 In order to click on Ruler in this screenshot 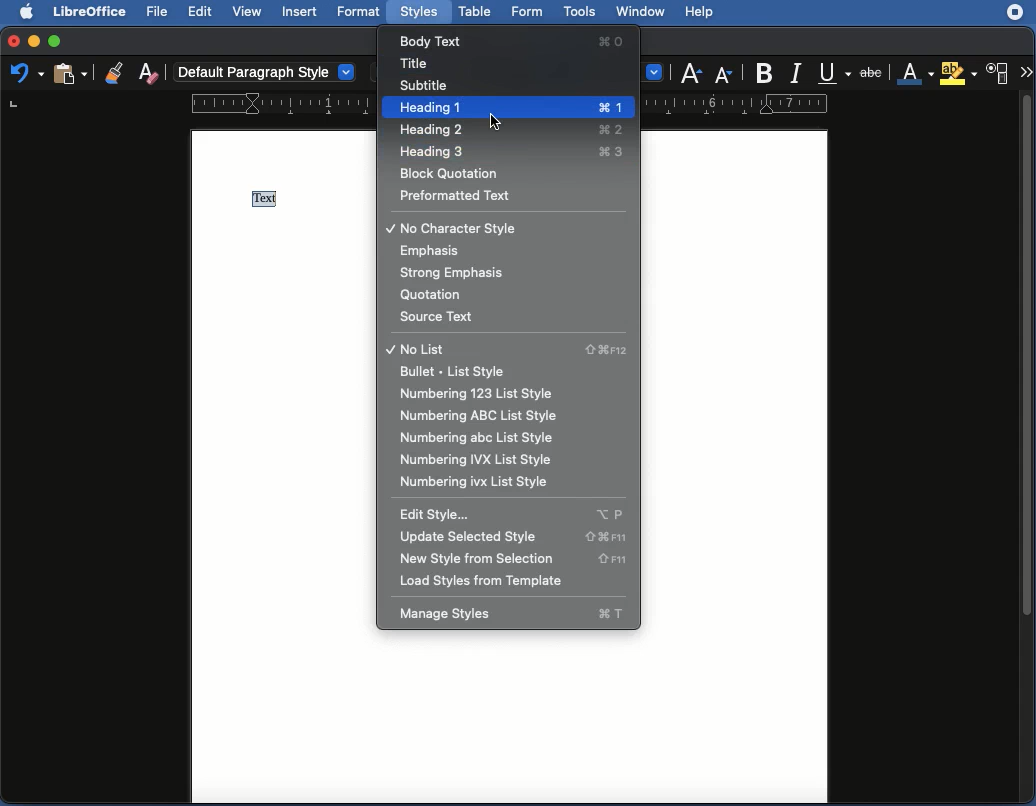, I will do `click(185, 103)`.